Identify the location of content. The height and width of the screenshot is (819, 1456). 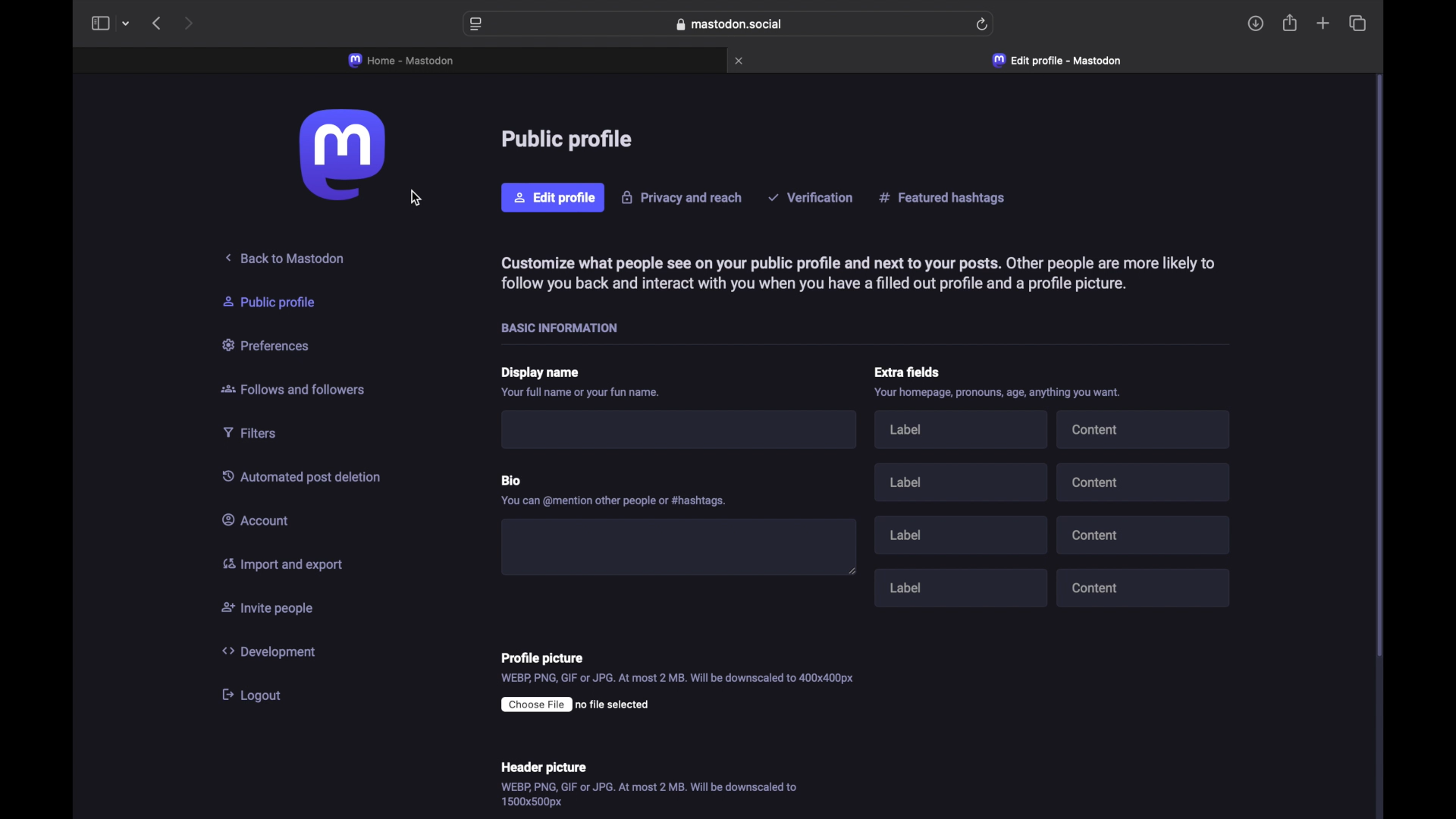
(1141, 587).